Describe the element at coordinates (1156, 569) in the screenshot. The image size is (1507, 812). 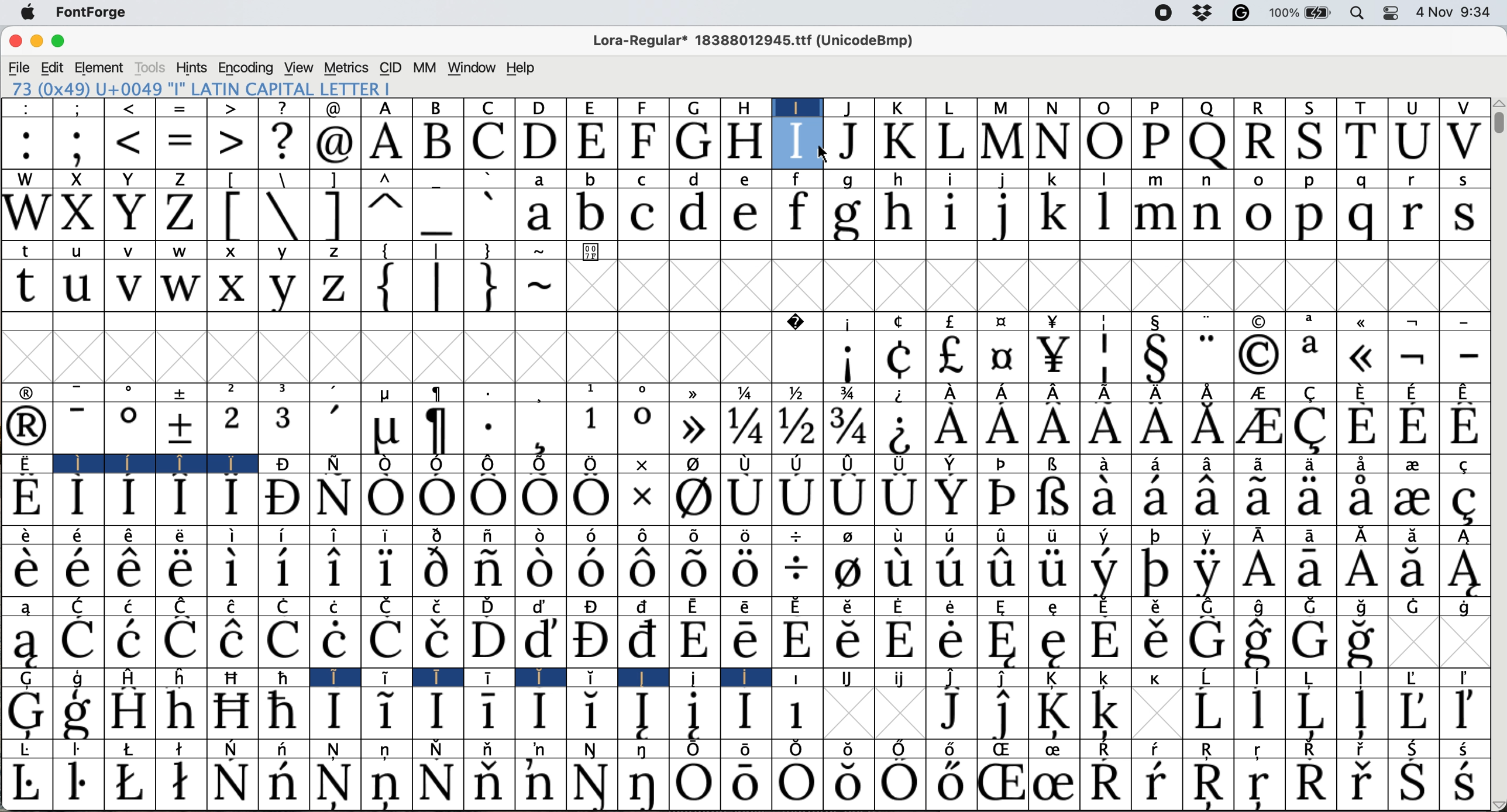
I see `Symbol` at that location.